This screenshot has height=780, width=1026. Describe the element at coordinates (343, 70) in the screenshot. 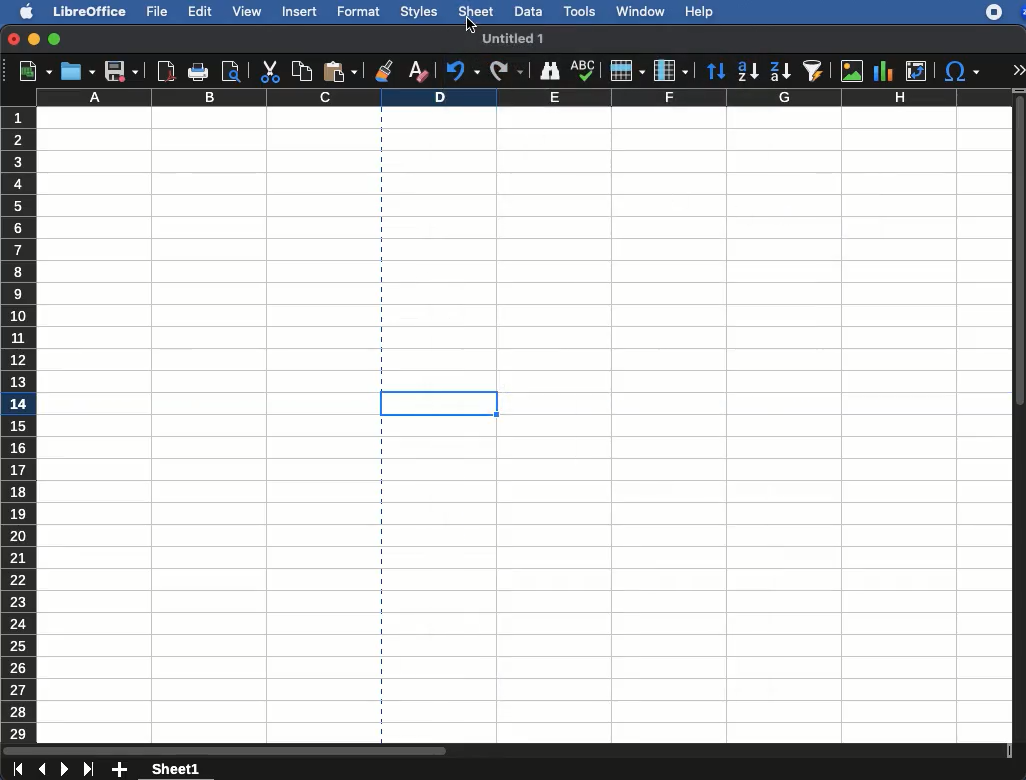

I see `paste` at that location.